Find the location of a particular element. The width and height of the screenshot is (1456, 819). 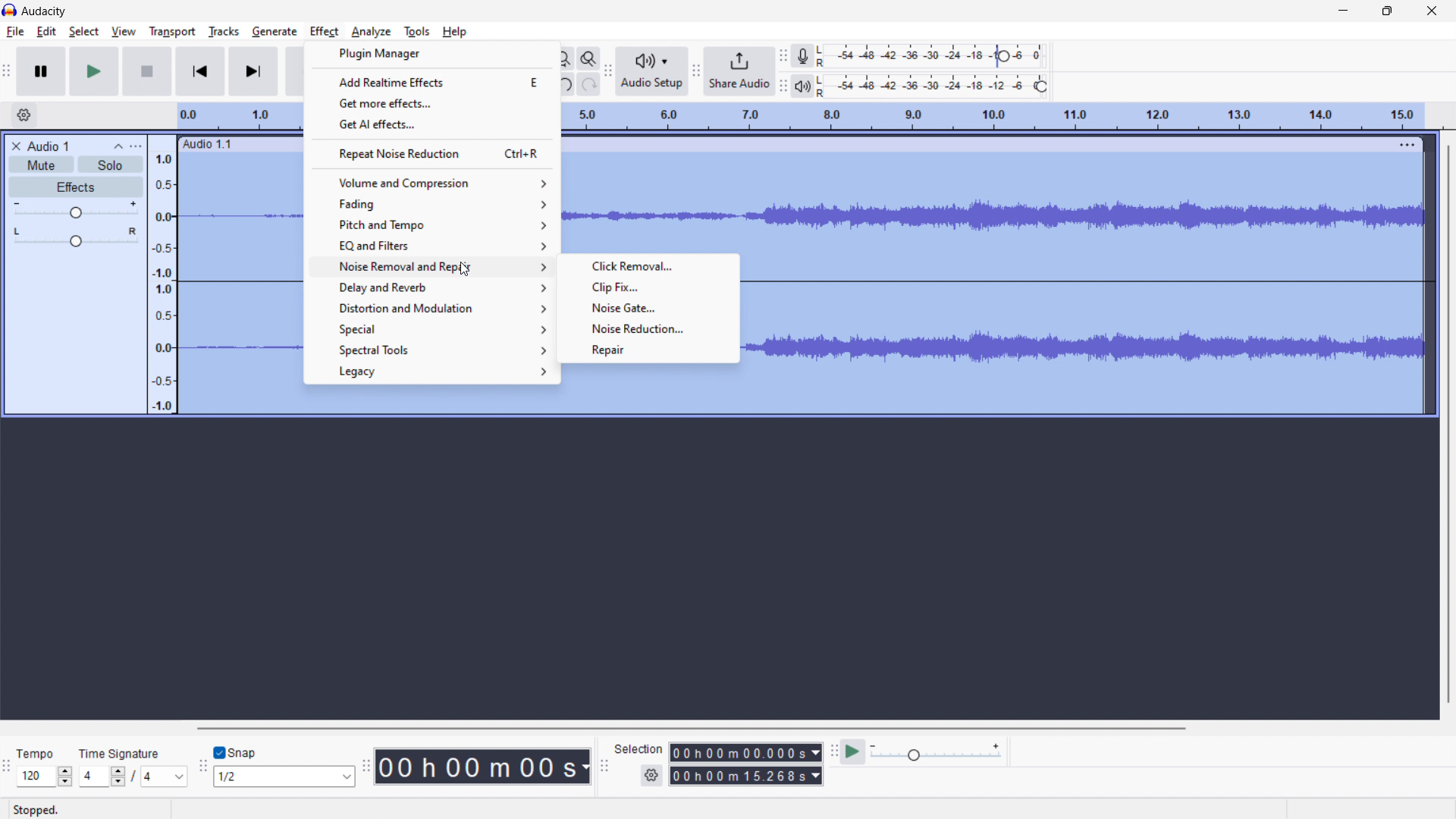

share audio is located at coordinates (739, 71).